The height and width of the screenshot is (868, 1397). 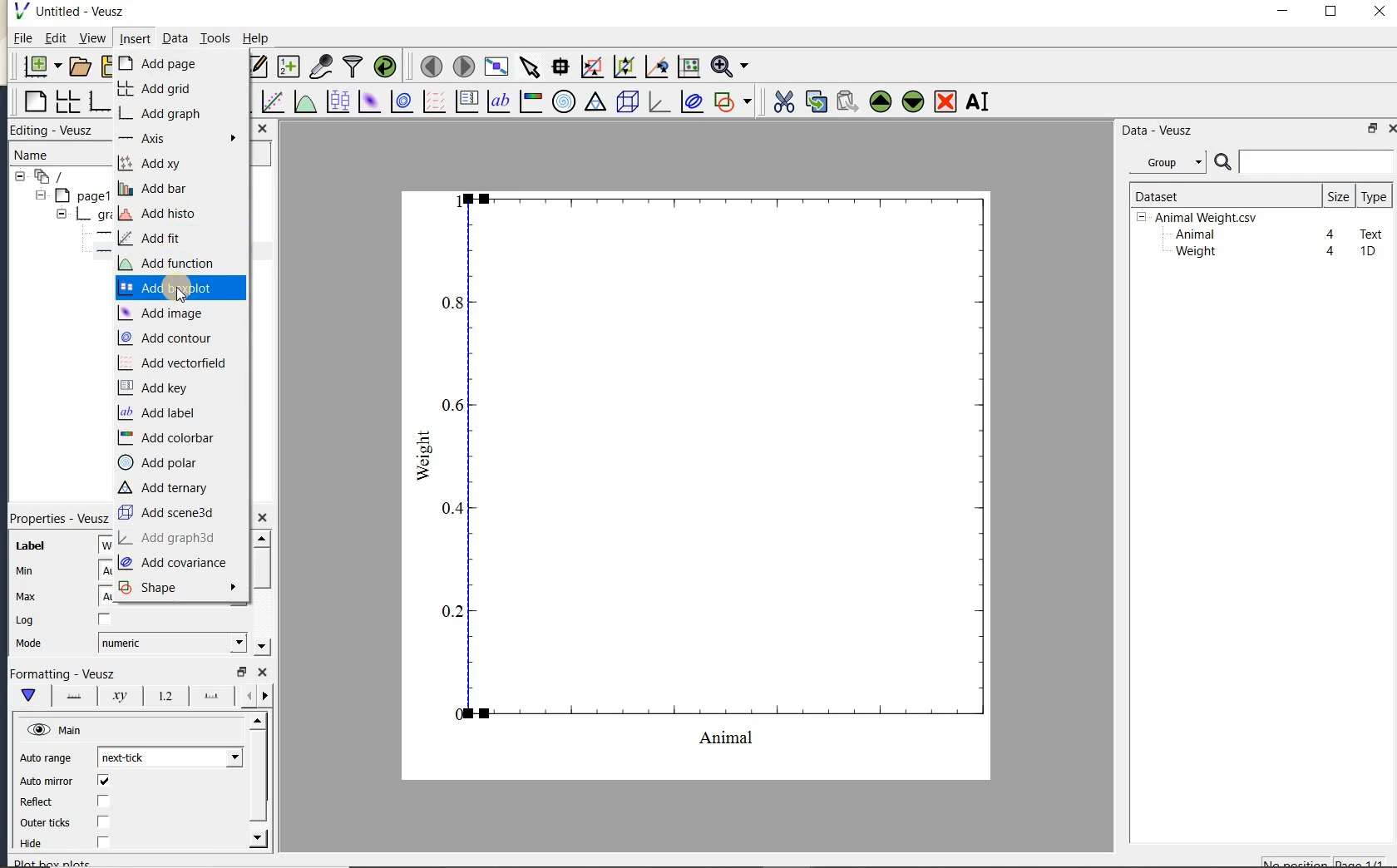 I want to click on blank page, so click(x=33, y=102).